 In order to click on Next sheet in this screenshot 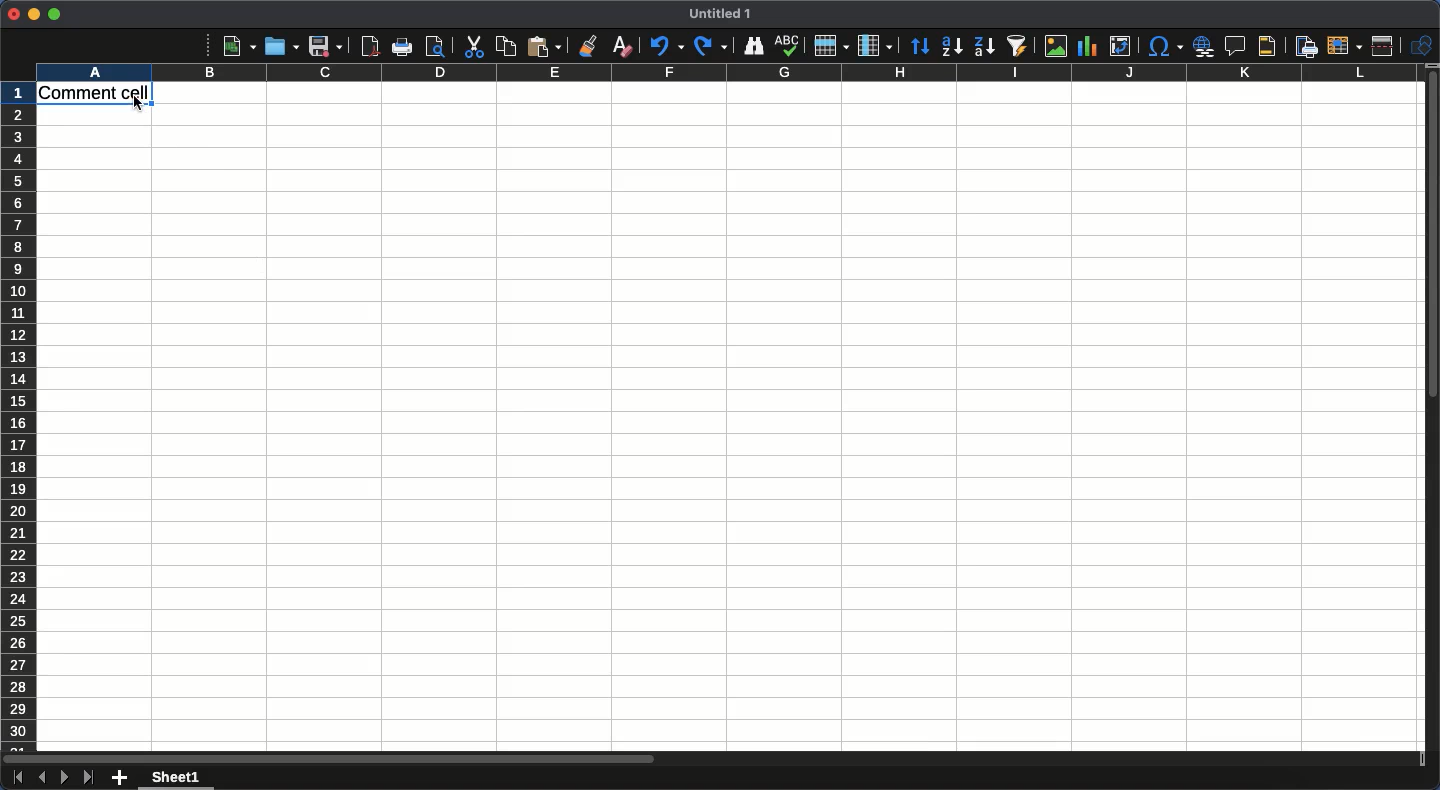, I will do `click(65, 776)`.